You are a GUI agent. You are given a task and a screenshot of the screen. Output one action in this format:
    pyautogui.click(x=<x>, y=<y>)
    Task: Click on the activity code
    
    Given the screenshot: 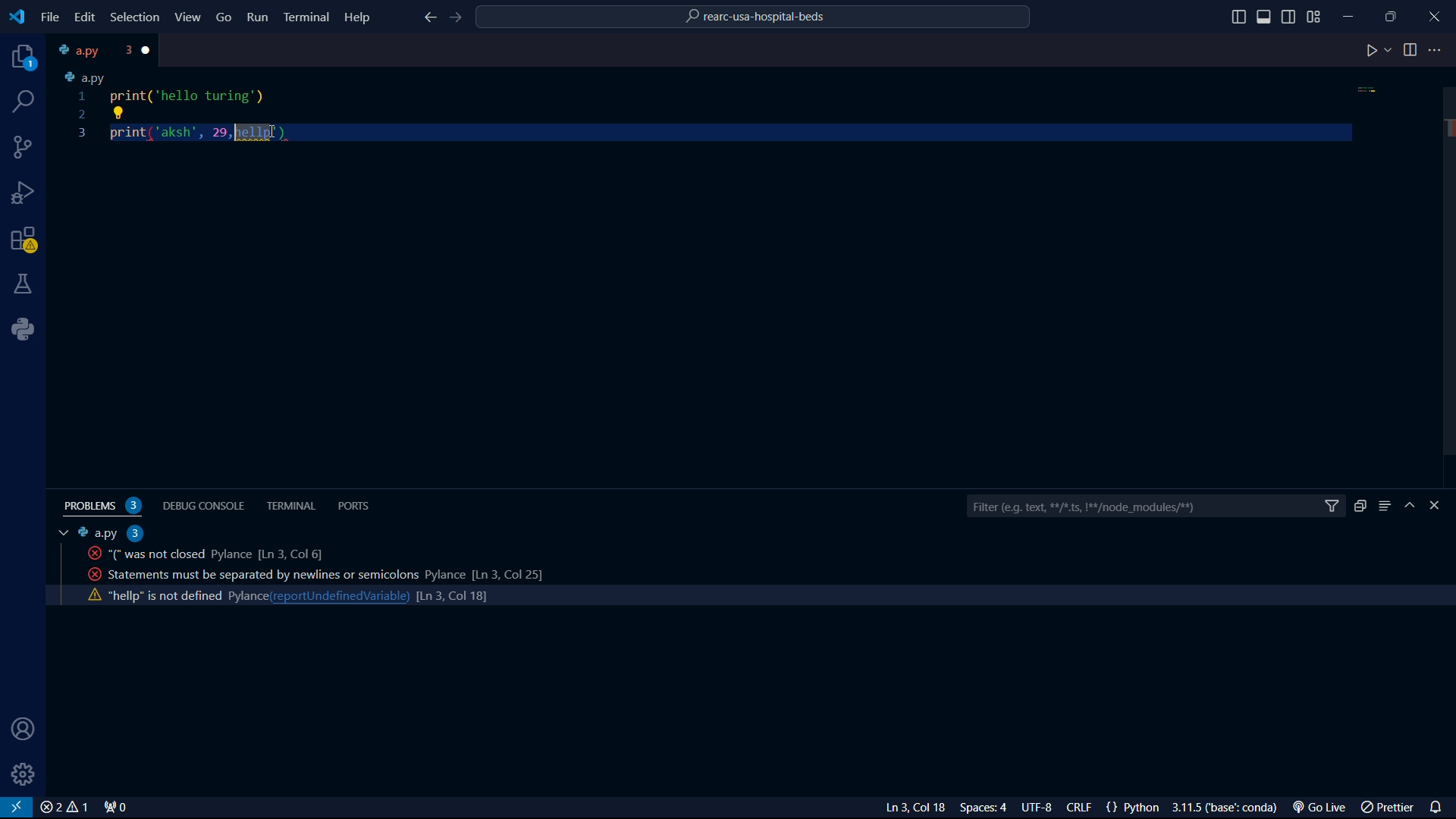 What is the action you would take?
    pyautogui.click(x=200, y=554)
    